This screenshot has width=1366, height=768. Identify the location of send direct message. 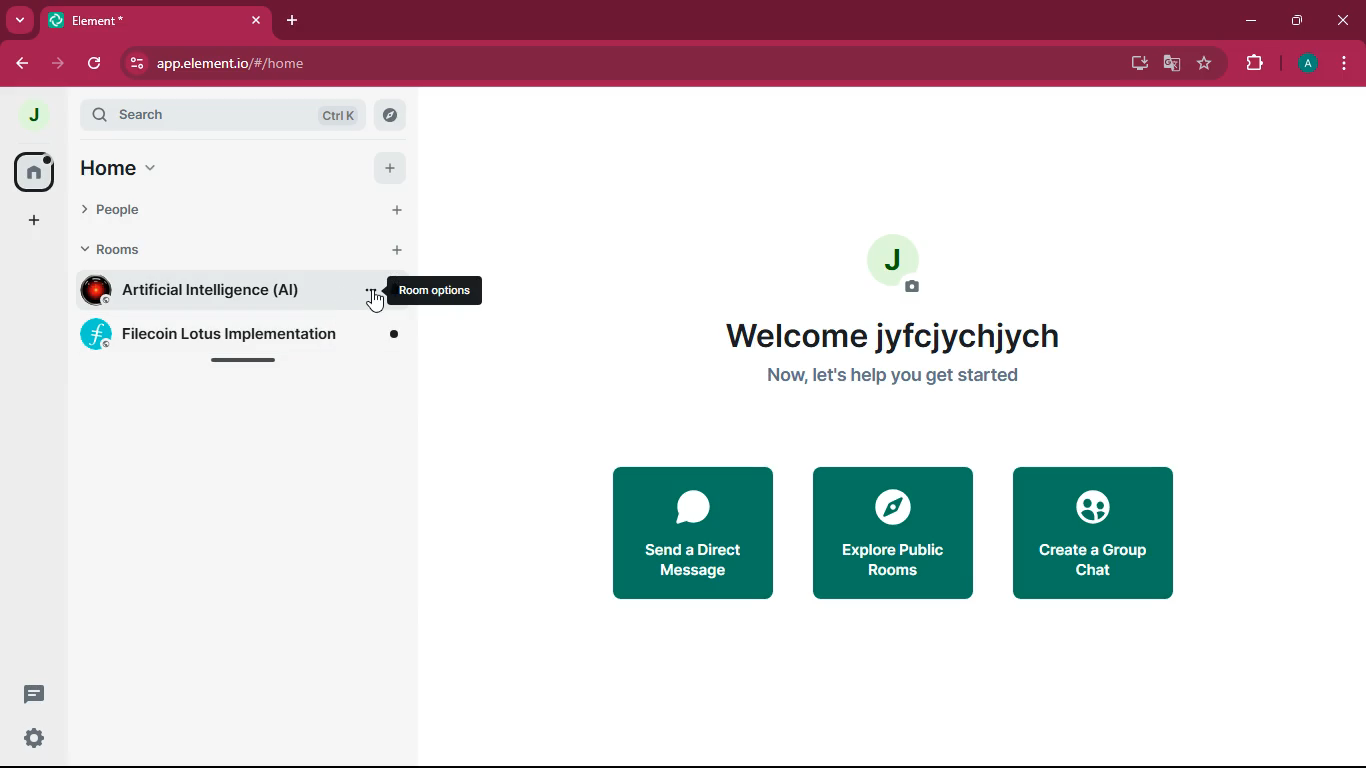
(690, 534).